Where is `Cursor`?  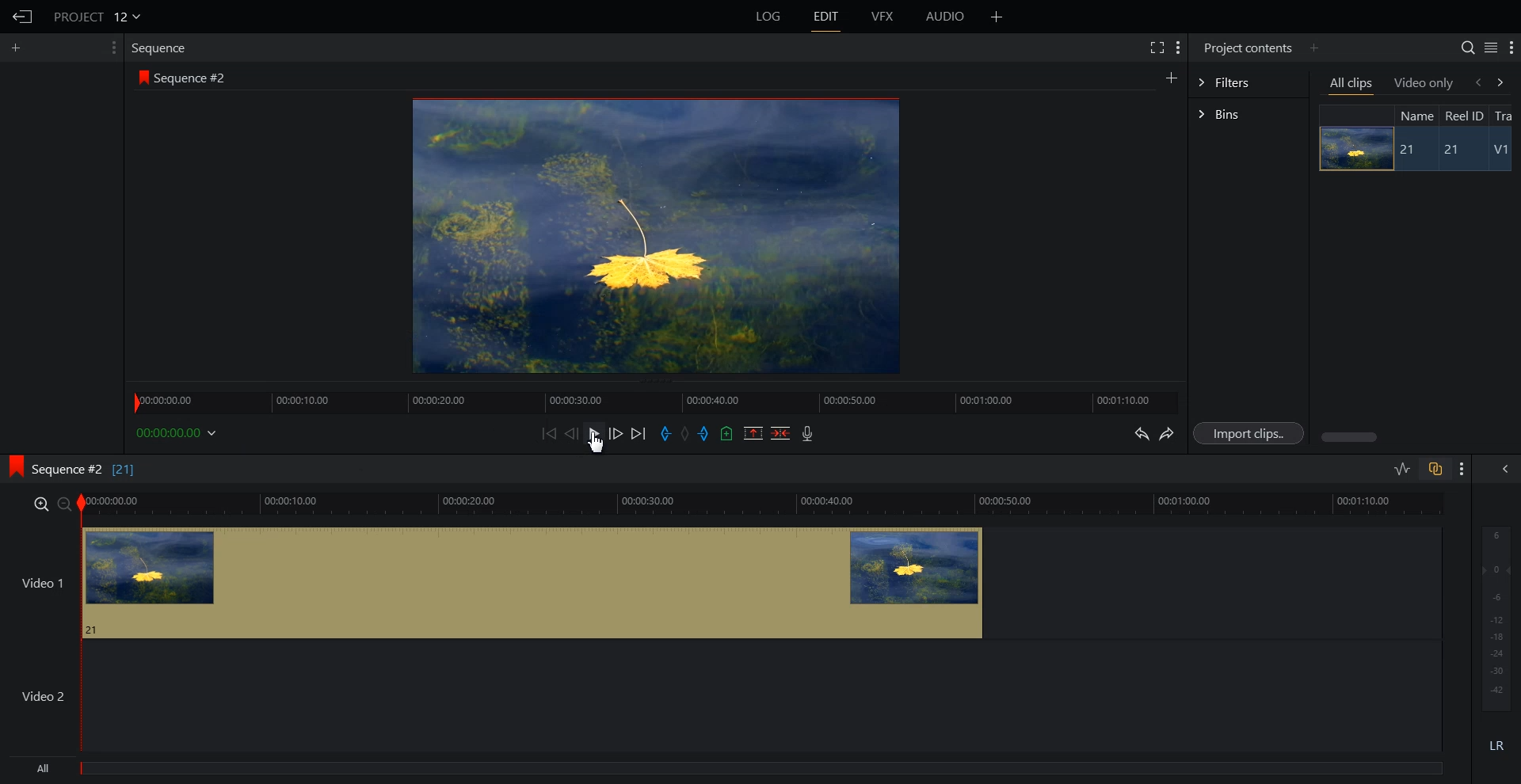 Cursor is located at coordinates (600, 446).